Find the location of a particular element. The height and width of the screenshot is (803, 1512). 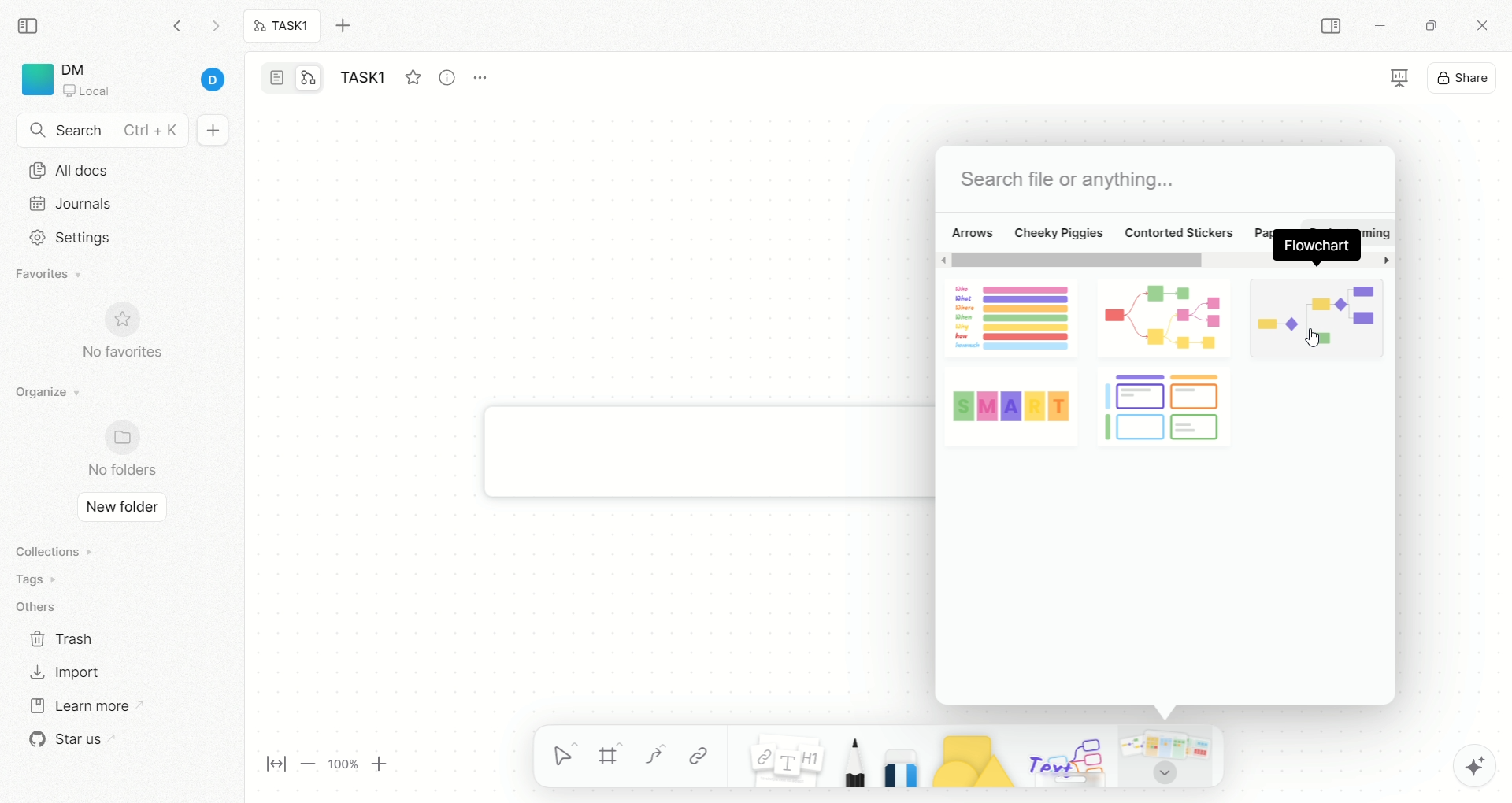

task1 is located at coordinates (367, 80).